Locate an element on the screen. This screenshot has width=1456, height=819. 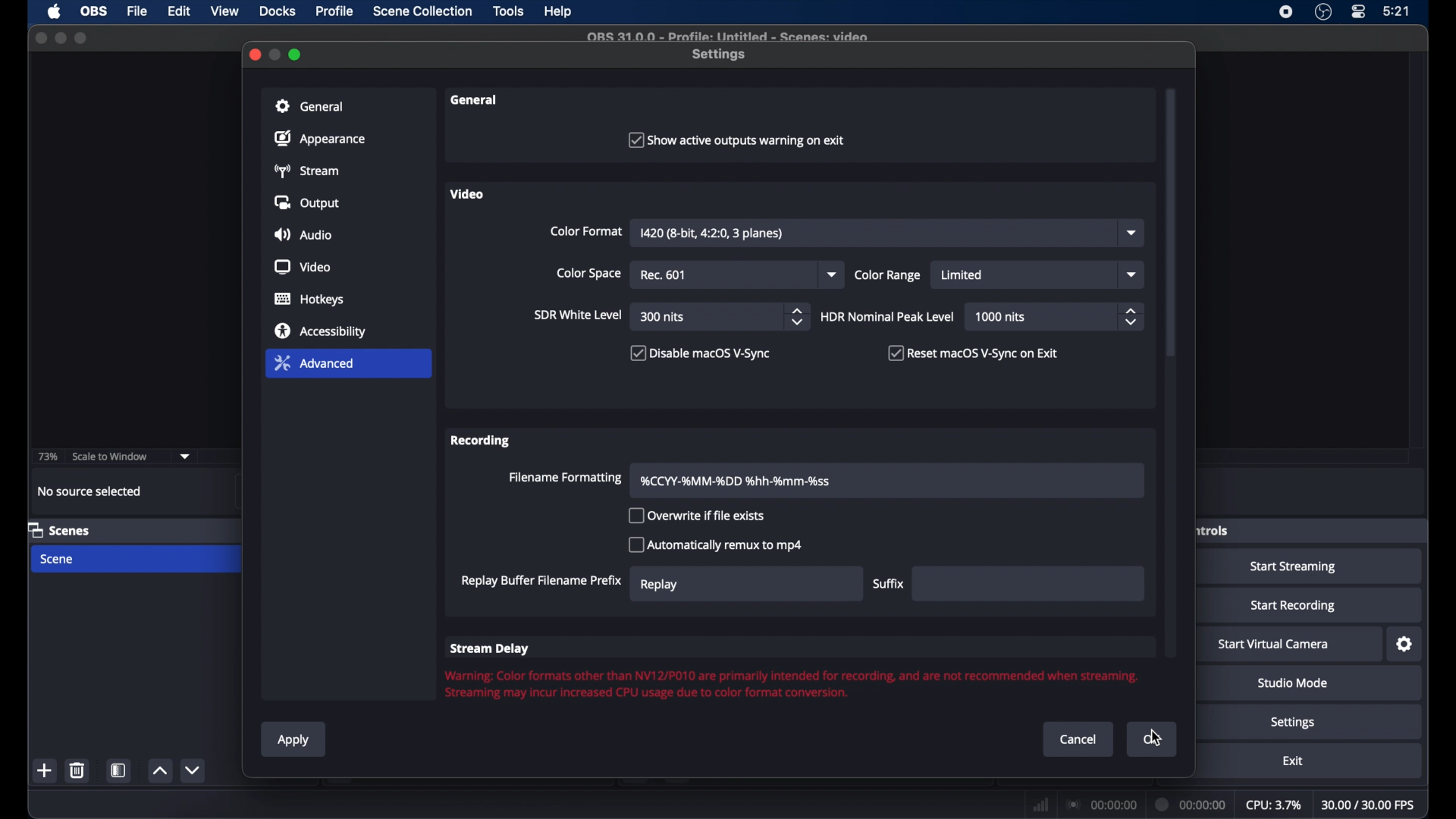
disable macOS V-sync is located at coordinates (701, 353).